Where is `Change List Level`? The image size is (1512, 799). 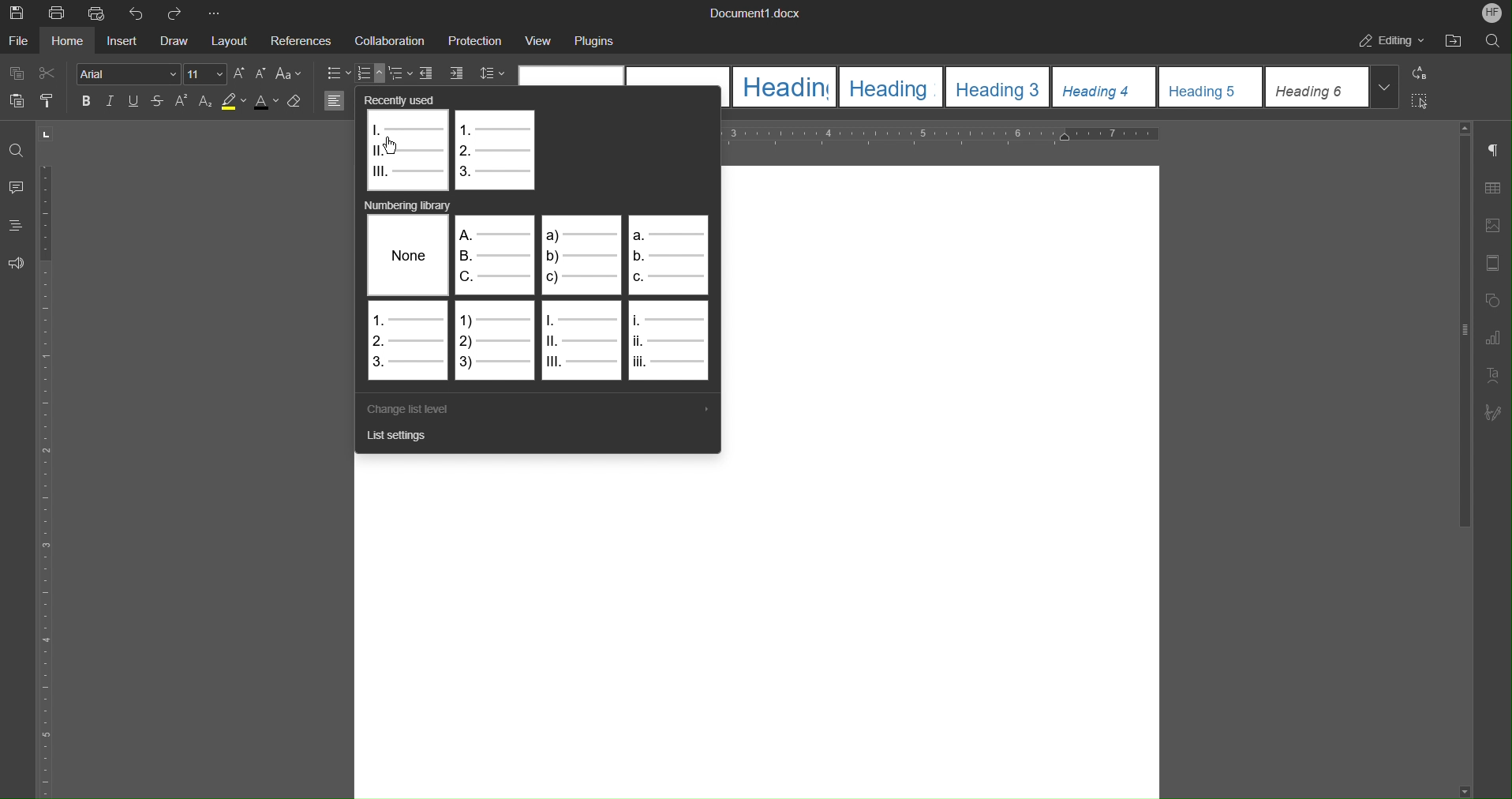
Change List Level is located at coordinates (407, 409).